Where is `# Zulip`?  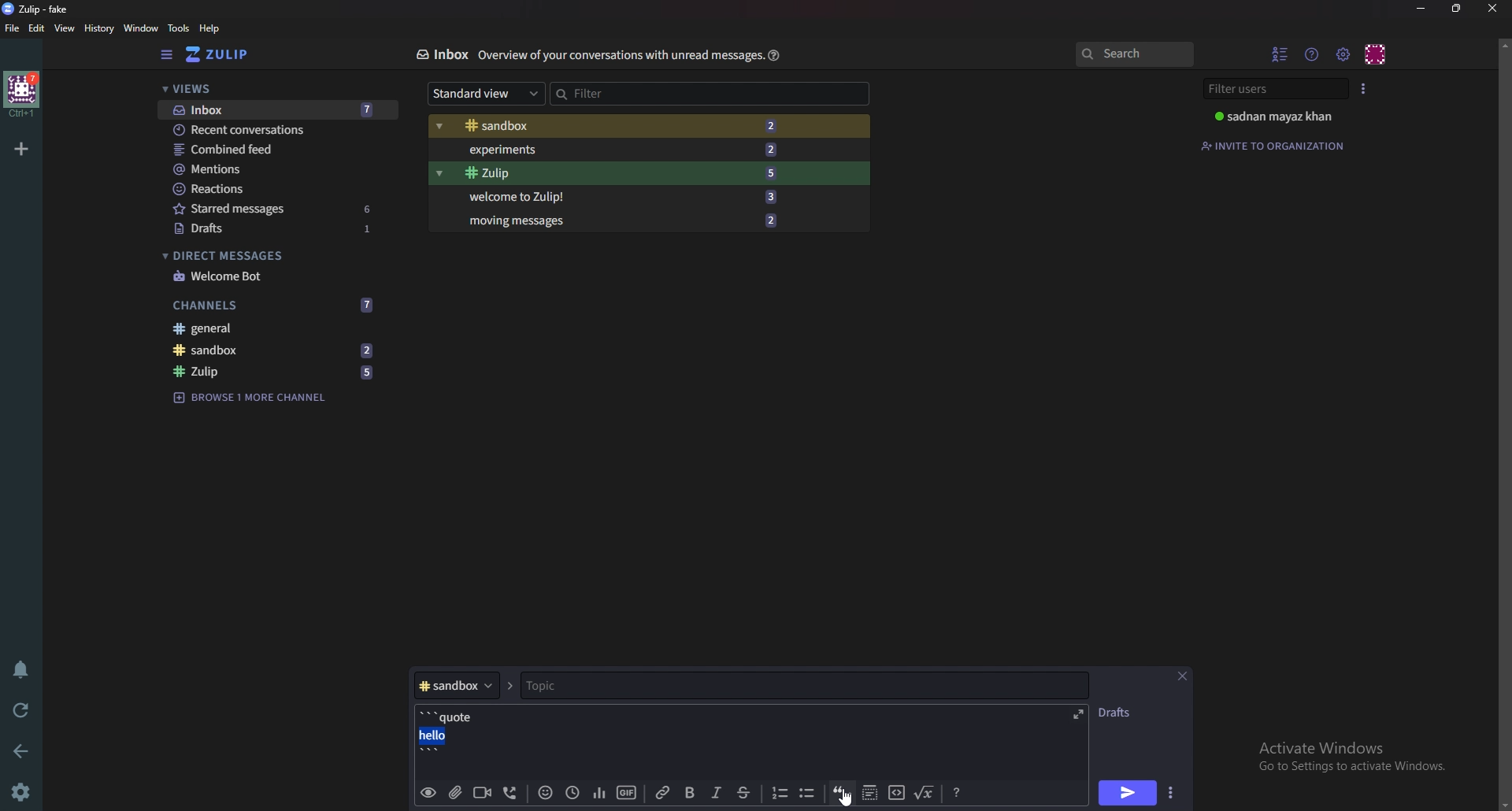
# Zulip is located at coordinates (535, 174).